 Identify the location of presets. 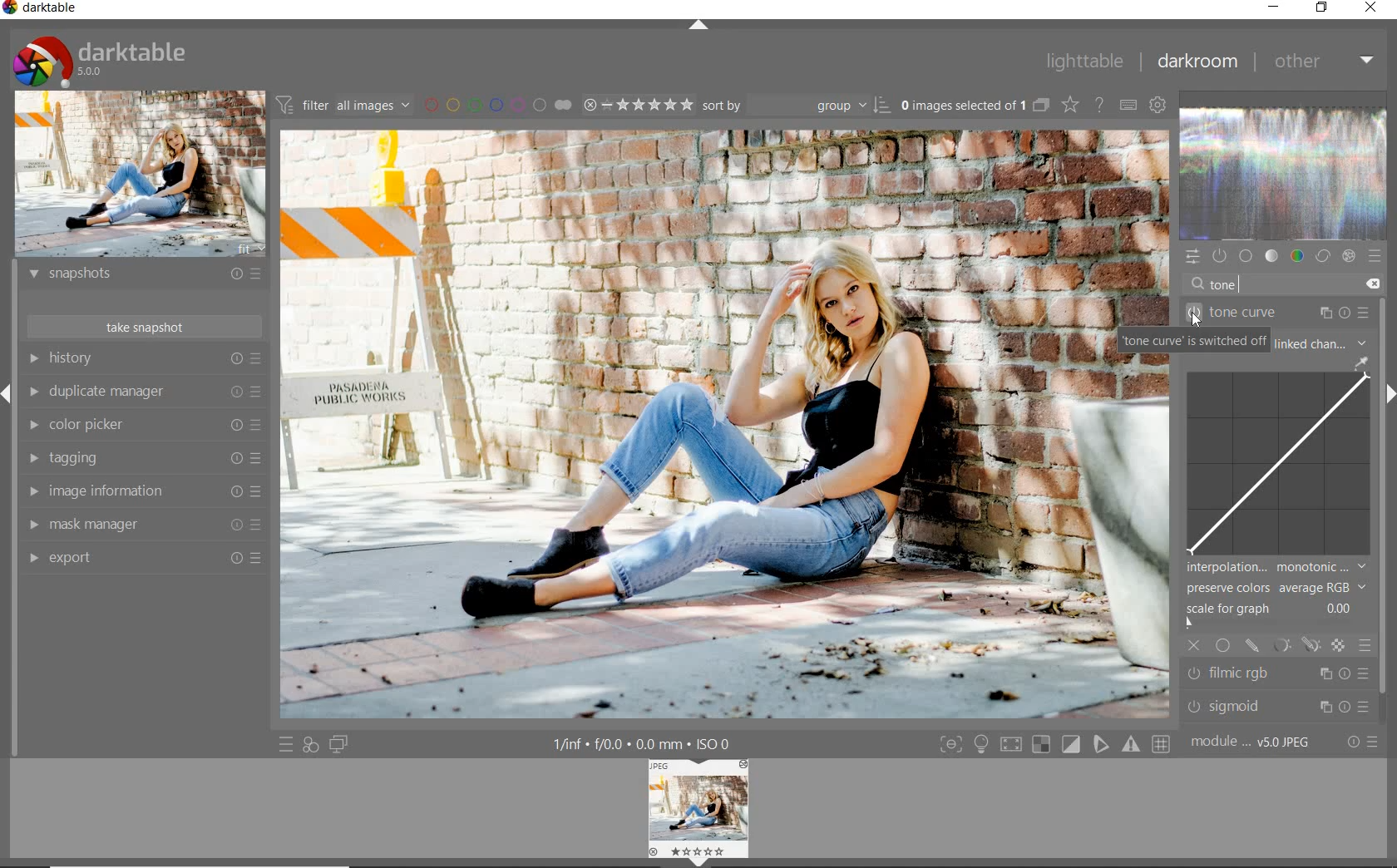
(1376, 258).